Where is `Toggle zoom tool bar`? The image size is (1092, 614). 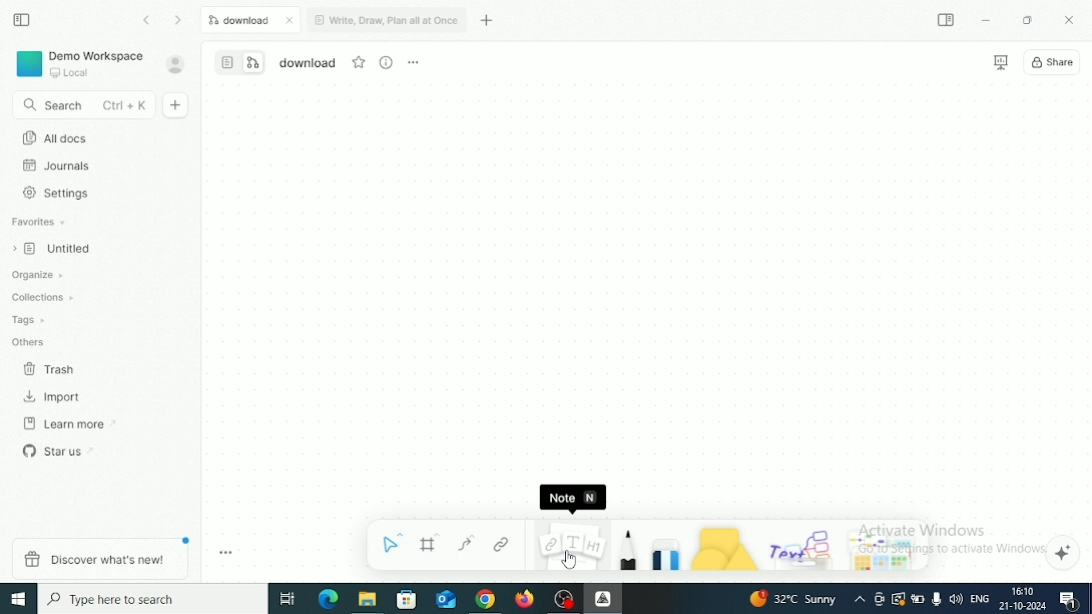 Toggle zoom tool bar is located at coordinates (226, 553).